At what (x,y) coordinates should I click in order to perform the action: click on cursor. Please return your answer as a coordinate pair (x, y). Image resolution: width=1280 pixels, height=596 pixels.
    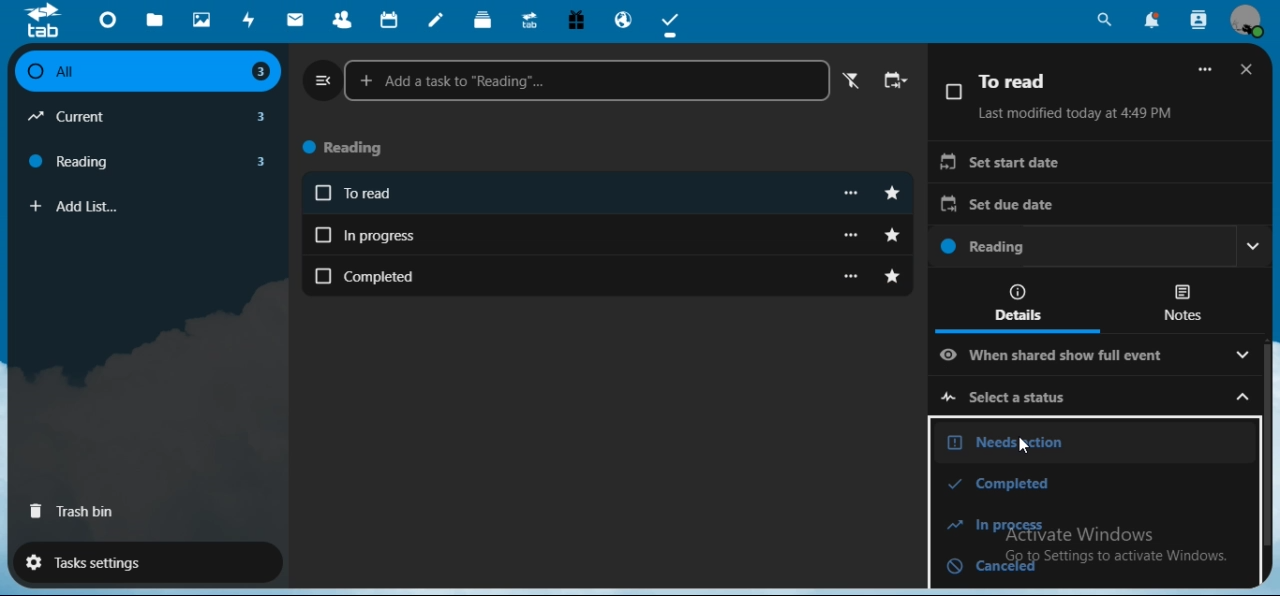
    Looking at the image, I should click on (1022, 446).